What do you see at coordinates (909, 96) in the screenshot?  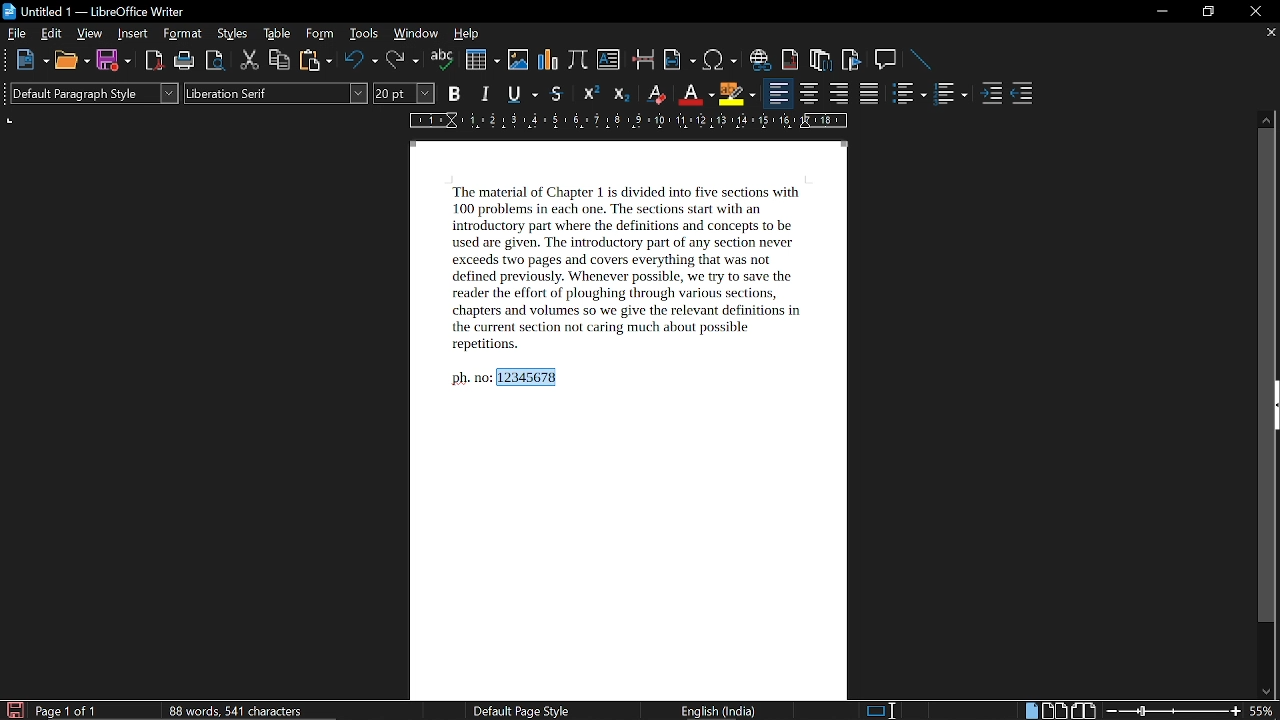 I see `toggle unordered list` at bounding box center [909, 96].